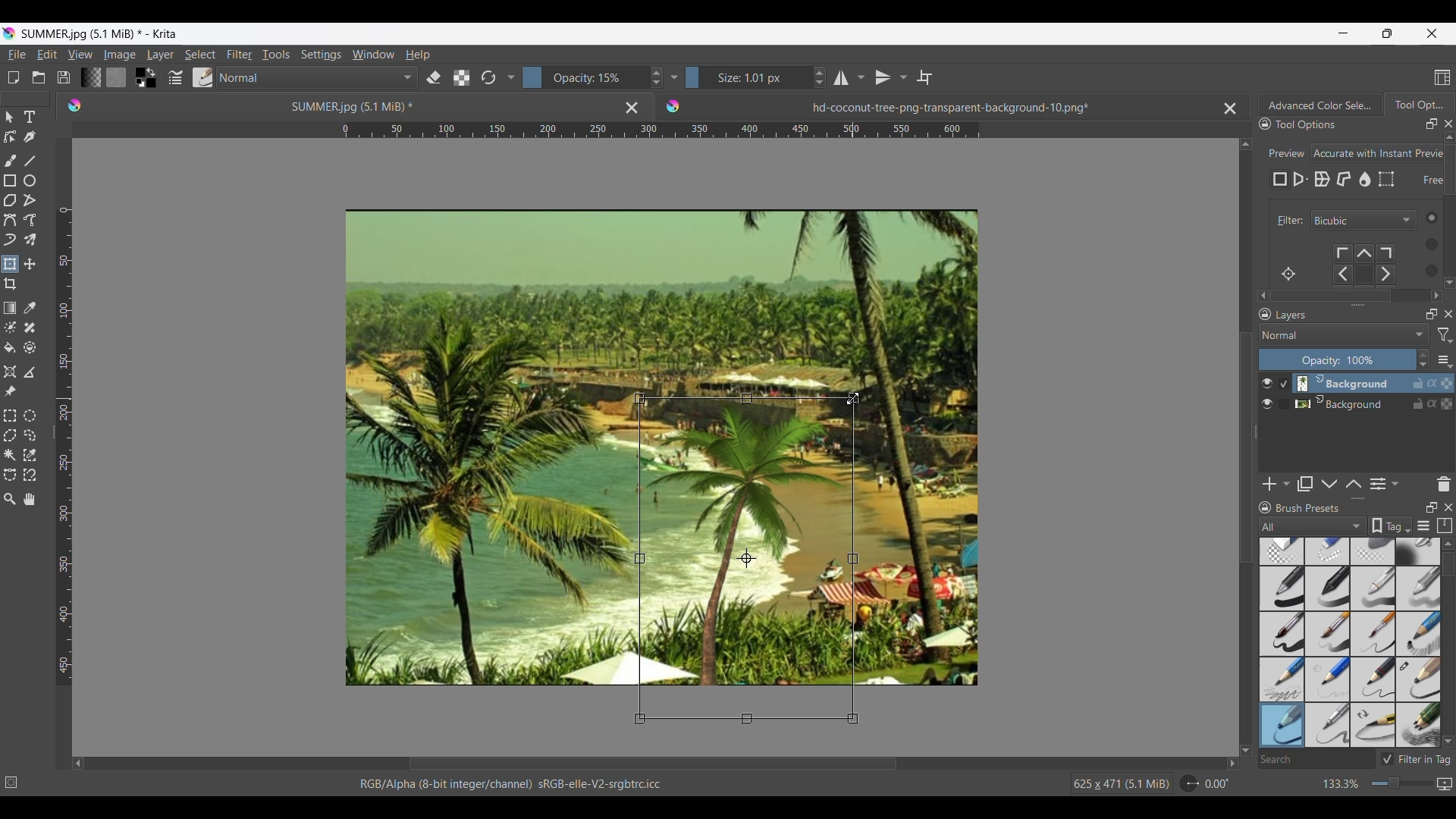 Image resolution: width=1456 pixels, height=819 pixels. What do you see at coordinates (488, 77) in the screenshot?
I see `Reload original preset` at bounding box center [488, 77].